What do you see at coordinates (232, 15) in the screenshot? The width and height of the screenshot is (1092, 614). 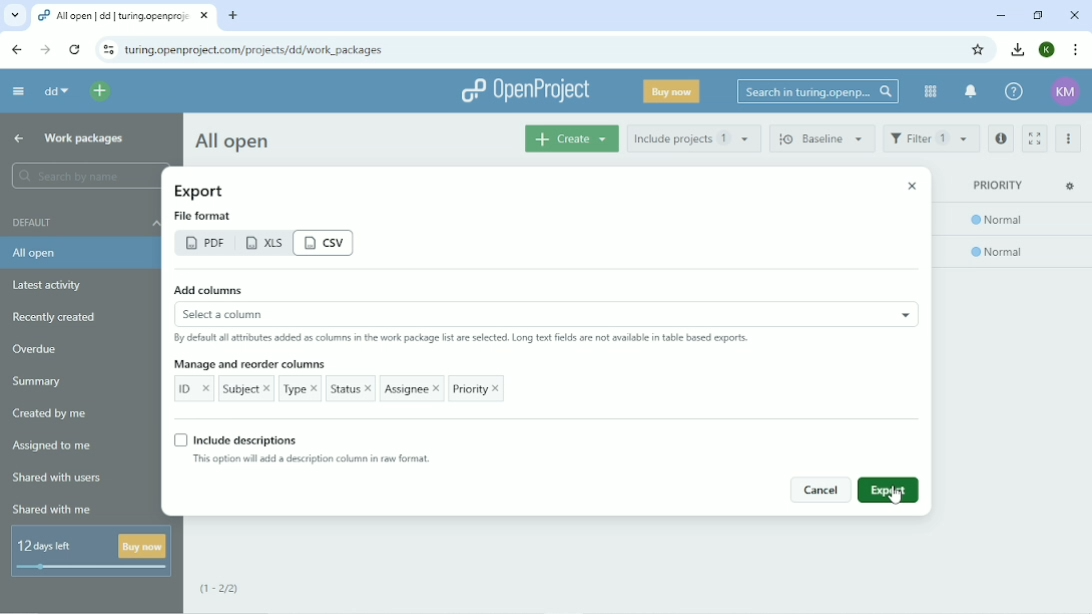 I see `New tab` at bounding box center [232, 15].